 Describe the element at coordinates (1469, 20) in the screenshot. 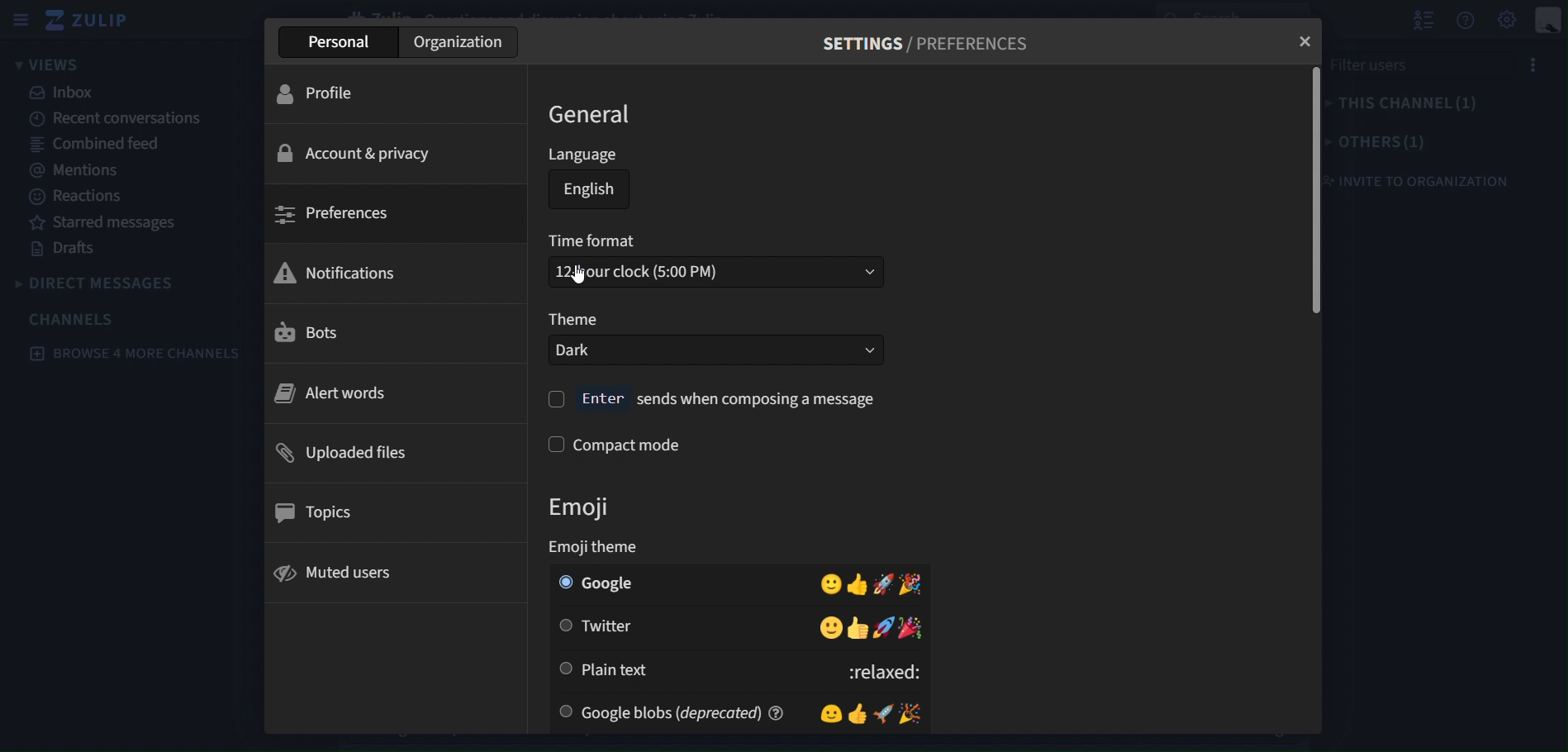

I see `get help` at that location.